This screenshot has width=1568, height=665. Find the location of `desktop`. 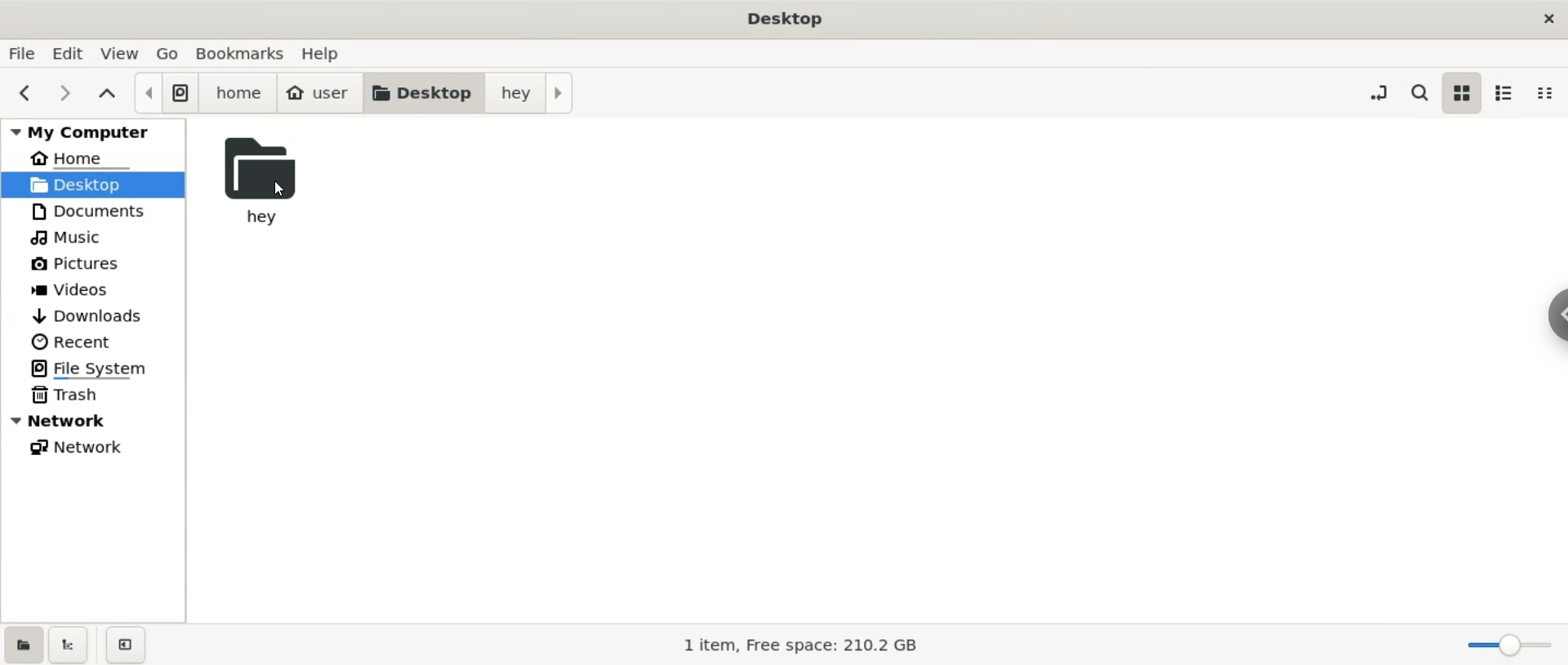

desktop is located at coordinates (94, 183).